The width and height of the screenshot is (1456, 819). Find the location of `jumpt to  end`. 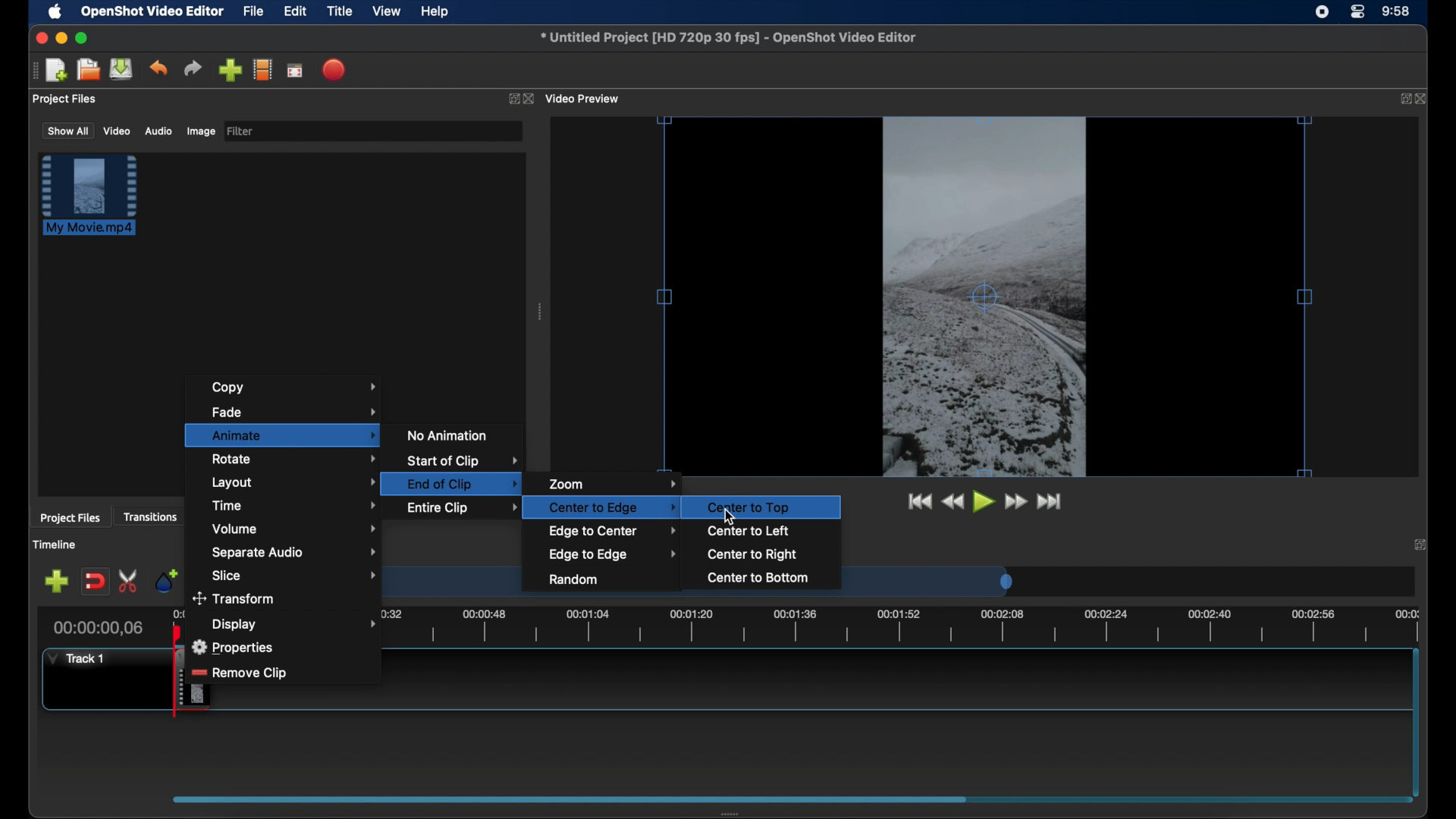

jumpt to  end is located at coordinates (1050, 501).